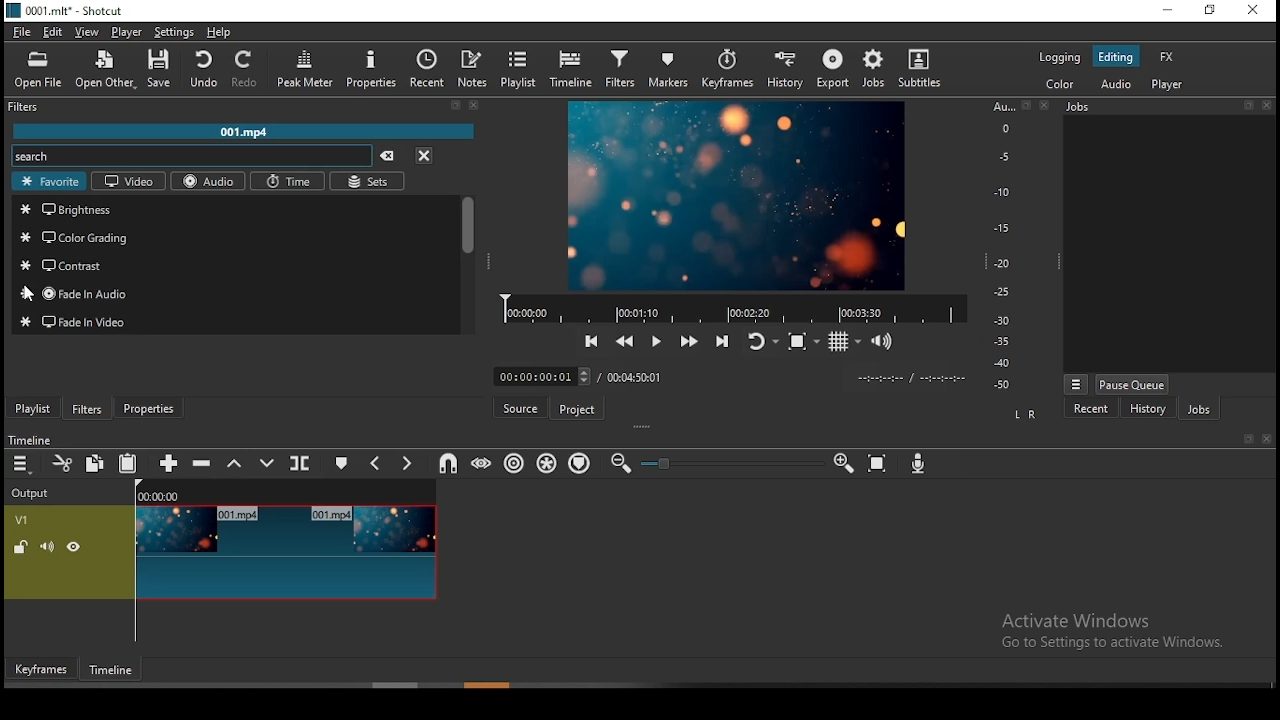 The height and width of the screenshot is (720, 1280). What do you see at coordinates (911, 377) in the screenshot?
I see `timer format` at bounding box center [911, 377].